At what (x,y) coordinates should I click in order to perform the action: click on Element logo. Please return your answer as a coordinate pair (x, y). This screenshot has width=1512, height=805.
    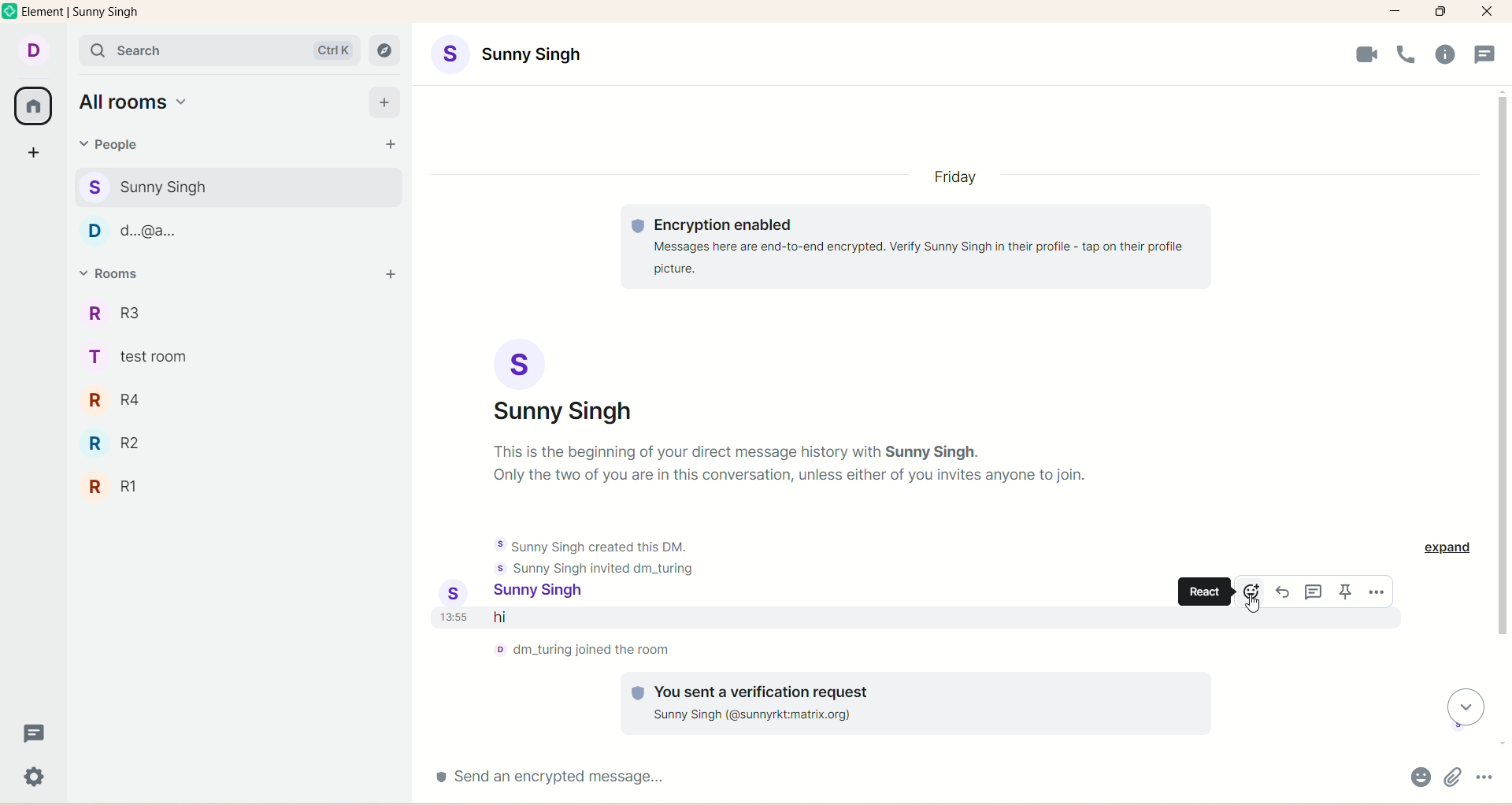
    Looking at the image, I should click on (10, 10).